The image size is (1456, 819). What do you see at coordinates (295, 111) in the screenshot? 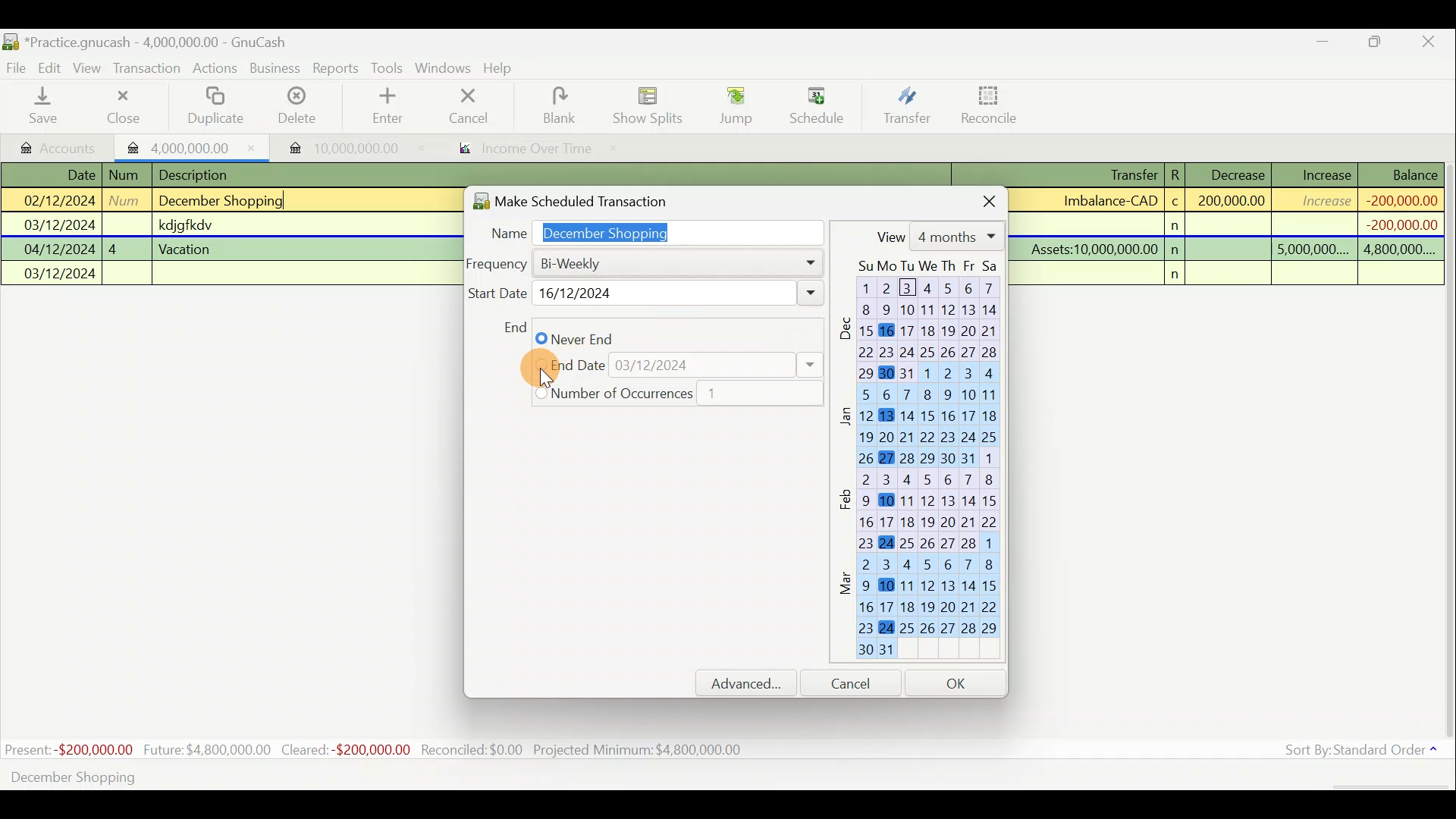
I see `Delete` at bounding box center [295, 111].